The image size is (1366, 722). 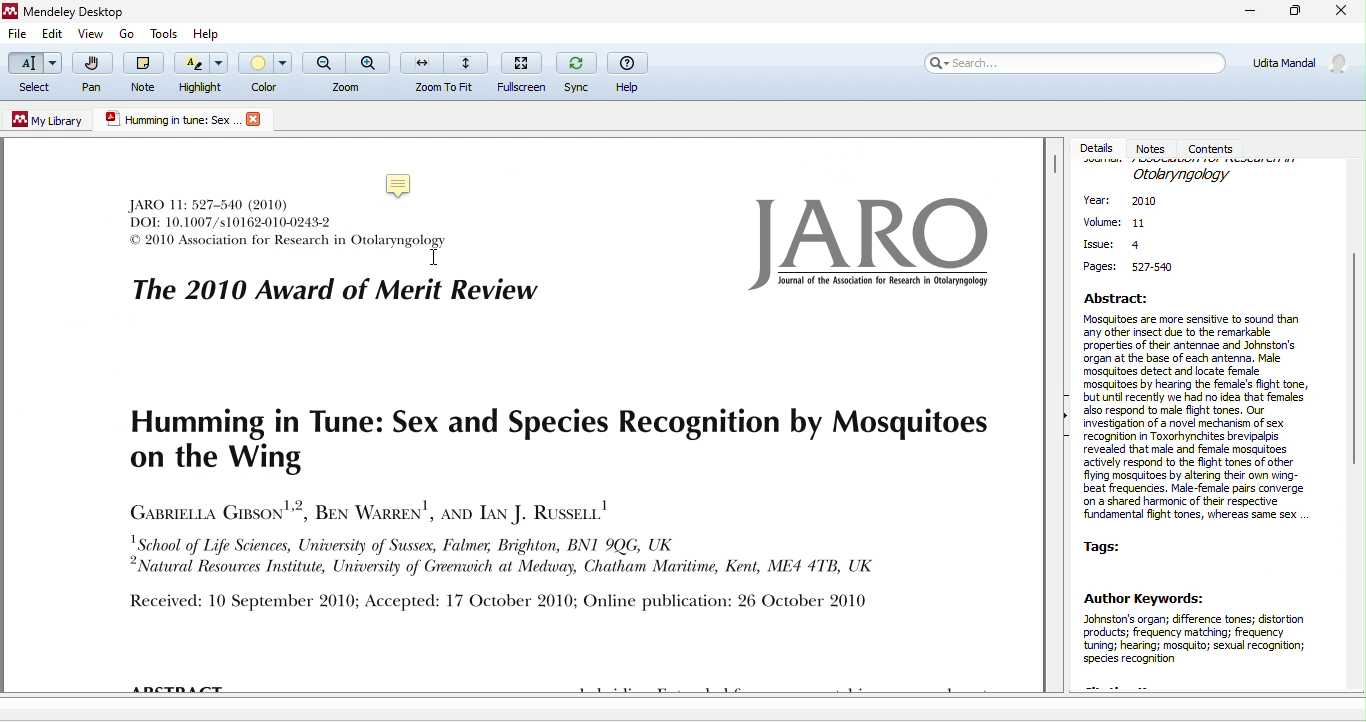 What do you see at coordinates (167, 34) in the screenshot?
I see `tools` at bounding box center [167, 34].